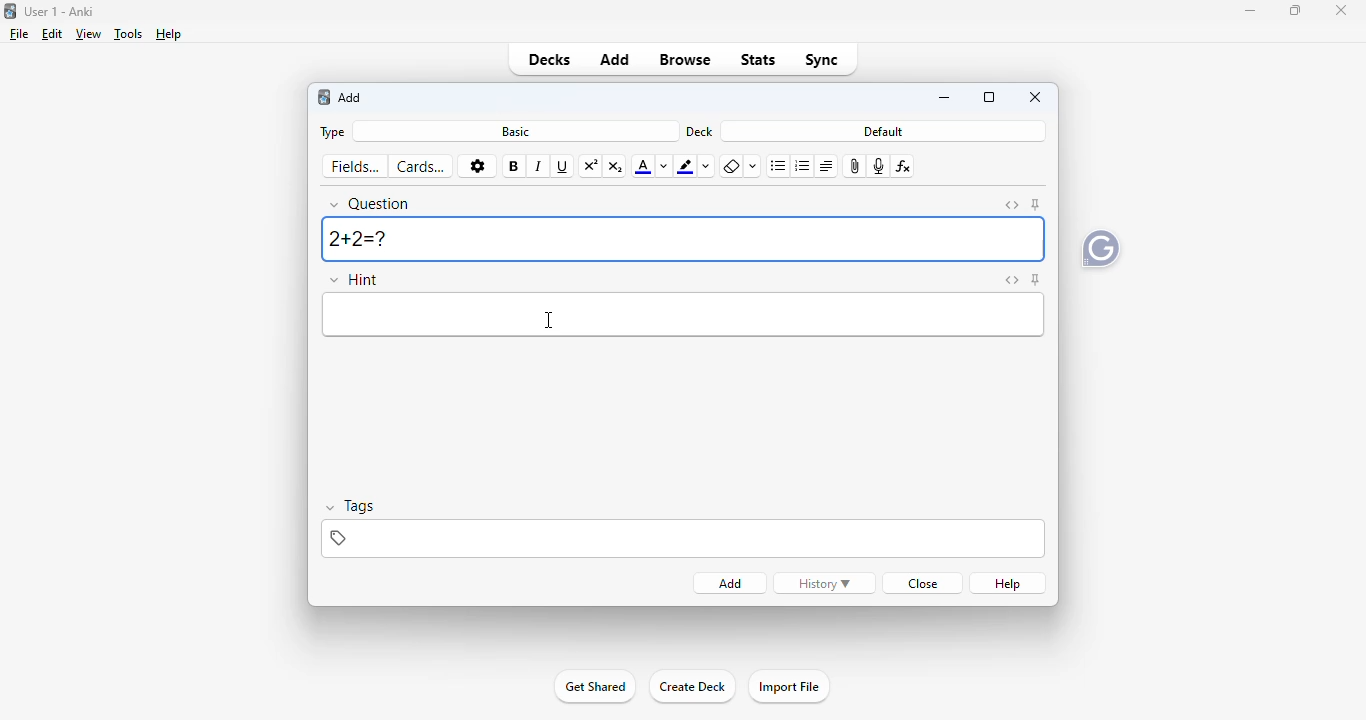  I want to click on basic, so click(516, 132).